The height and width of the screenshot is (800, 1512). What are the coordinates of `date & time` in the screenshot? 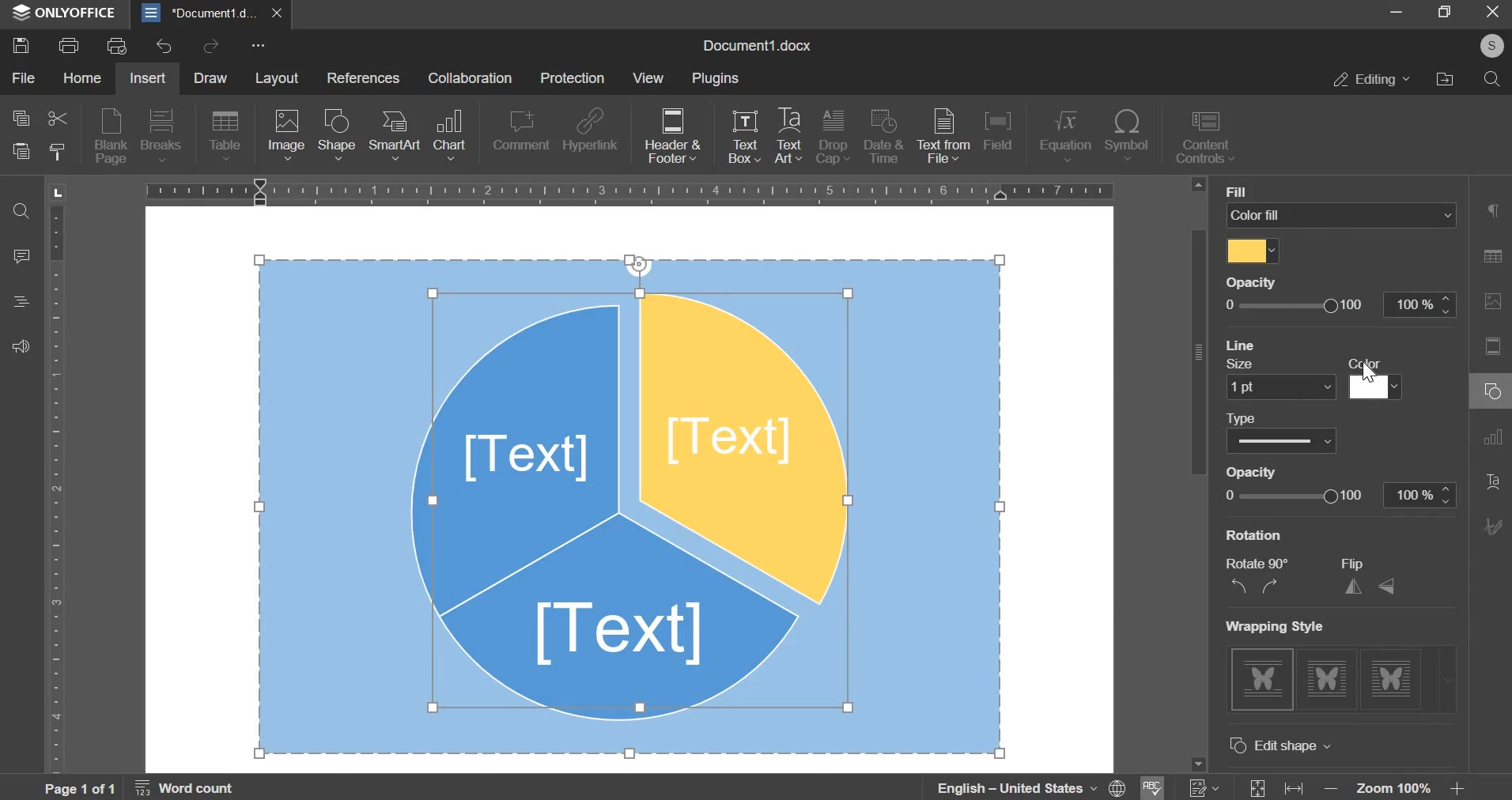 It's located at (883, 135).